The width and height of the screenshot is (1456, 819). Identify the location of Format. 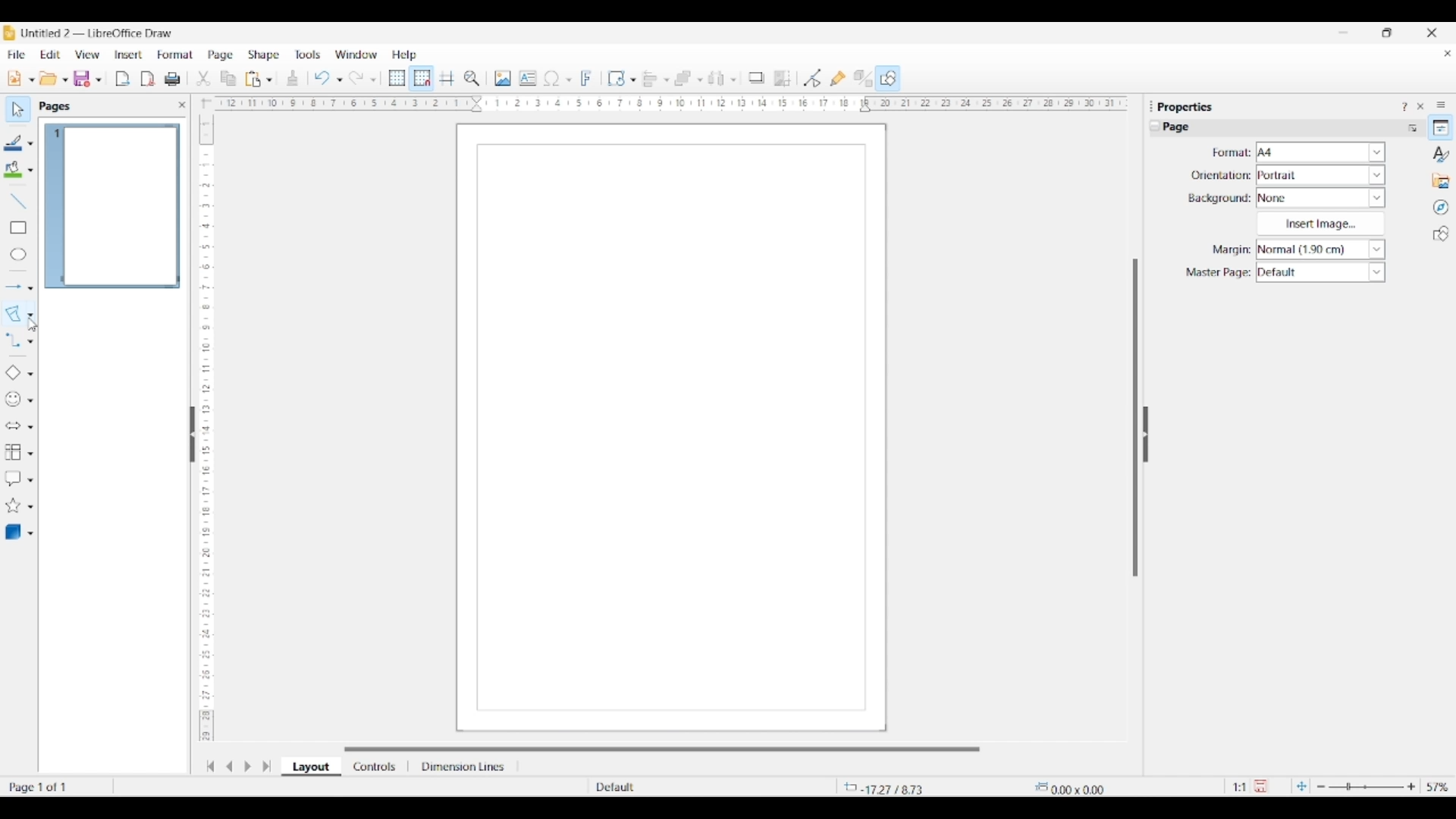
(176, 55).